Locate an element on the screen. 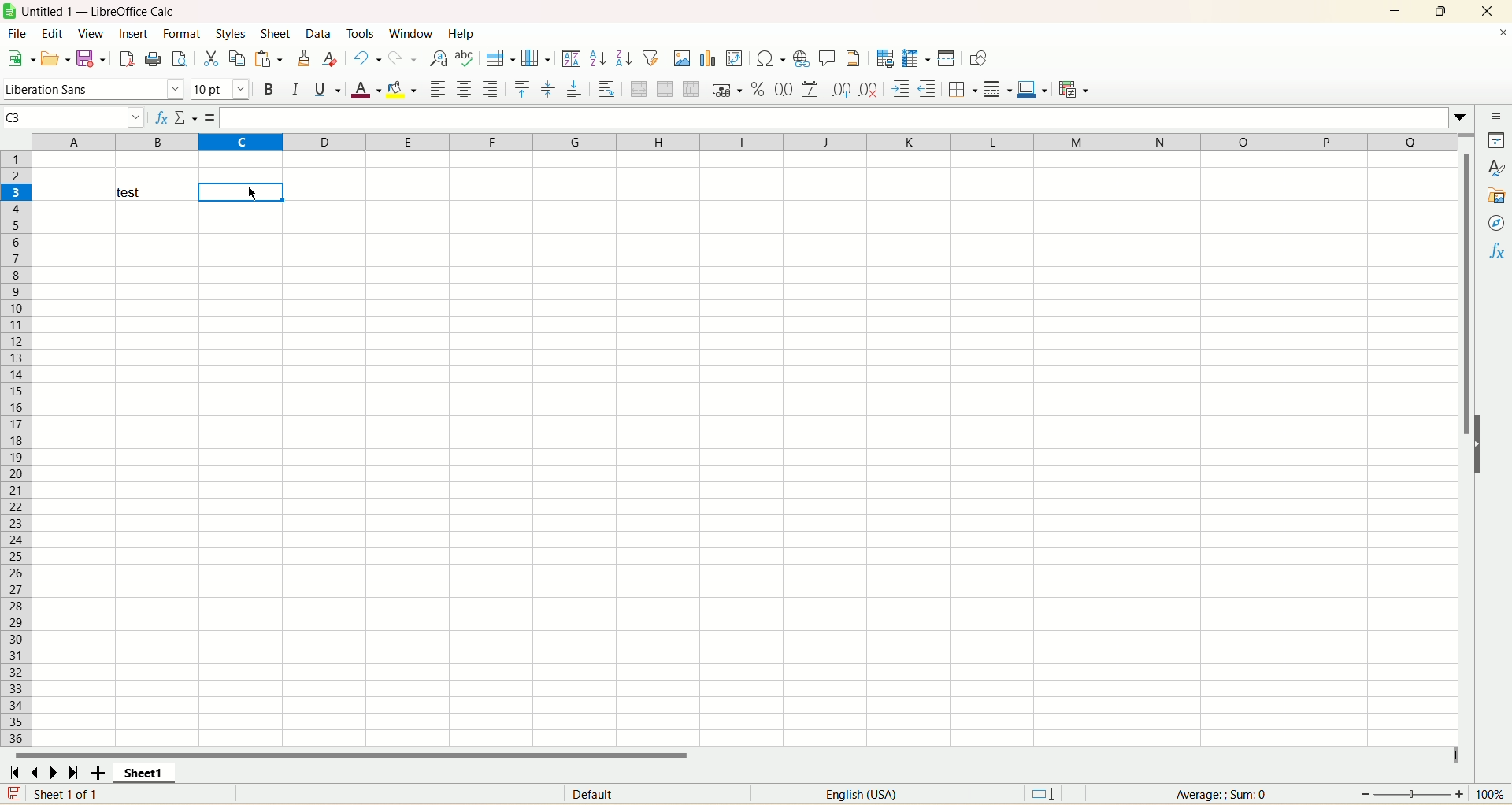 Image resolution: width=1512 pixels, height=805 pixels. background color is located at coordinates (402, 89).